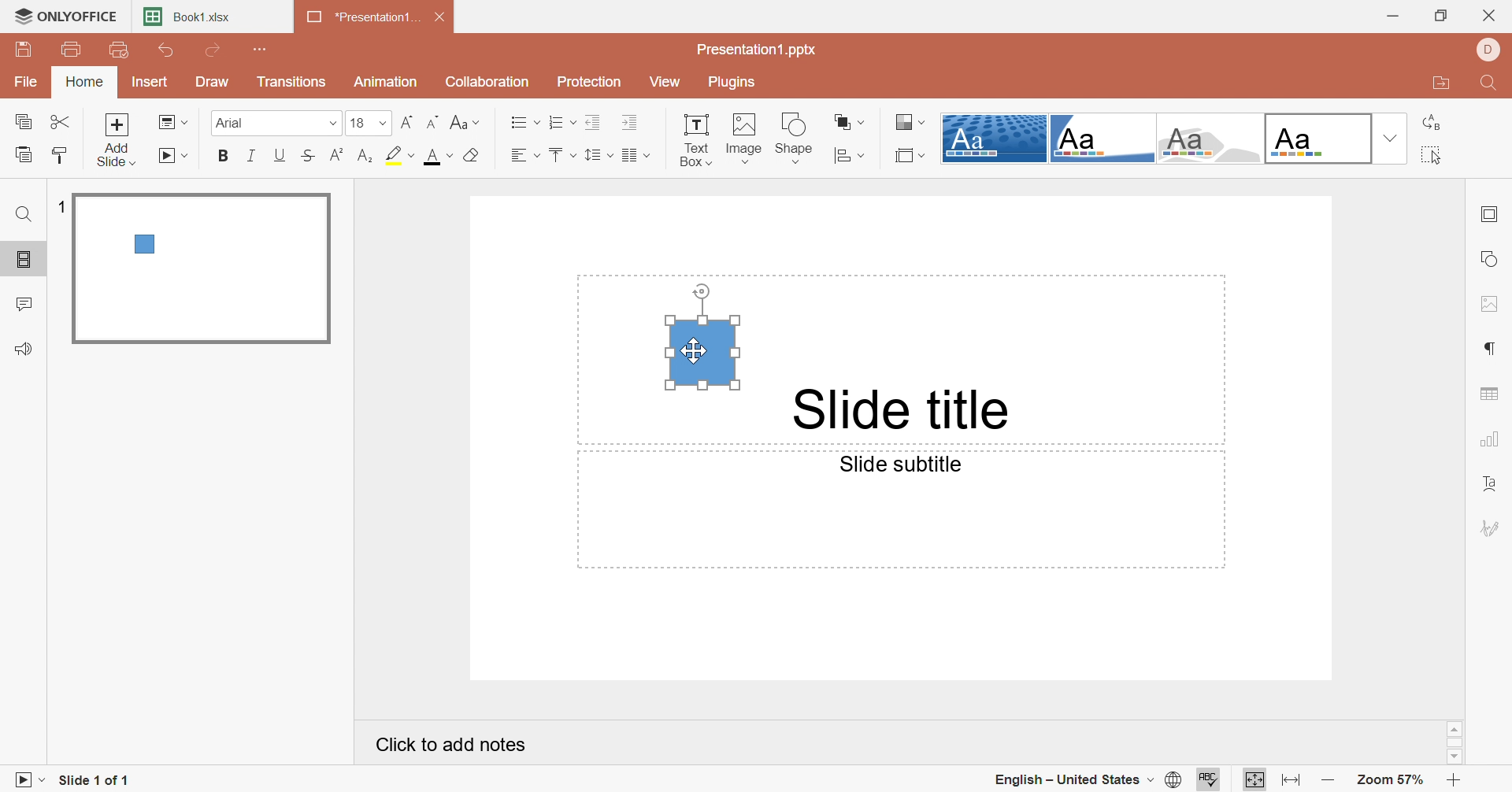 The width and height of the screenshot is (1512, 792). Describe the element at coordinates (467, 122) in the screenshot. I see `Change case` at that location.